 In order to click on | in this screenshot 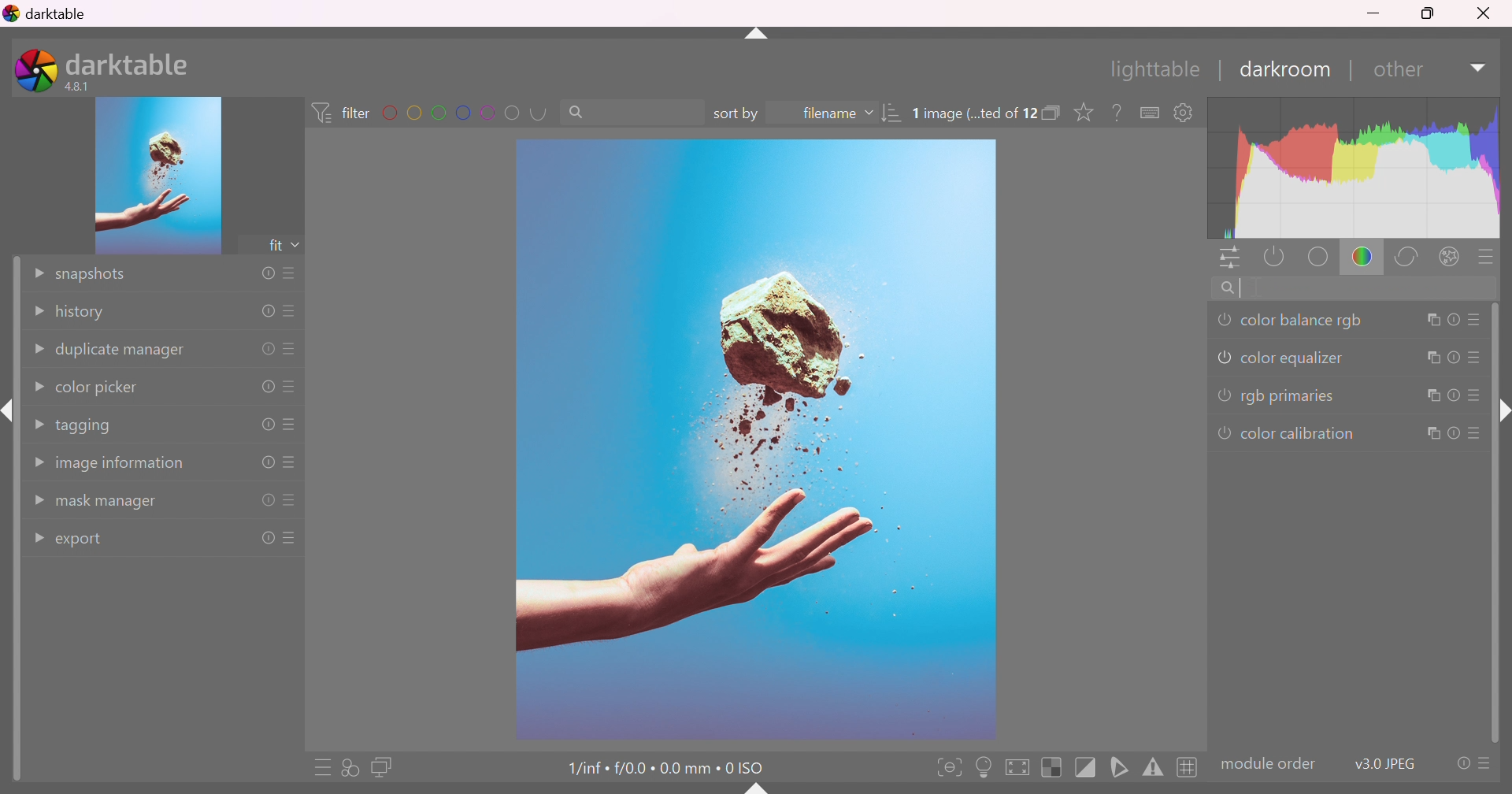, I will do `click(1354, 70)`.